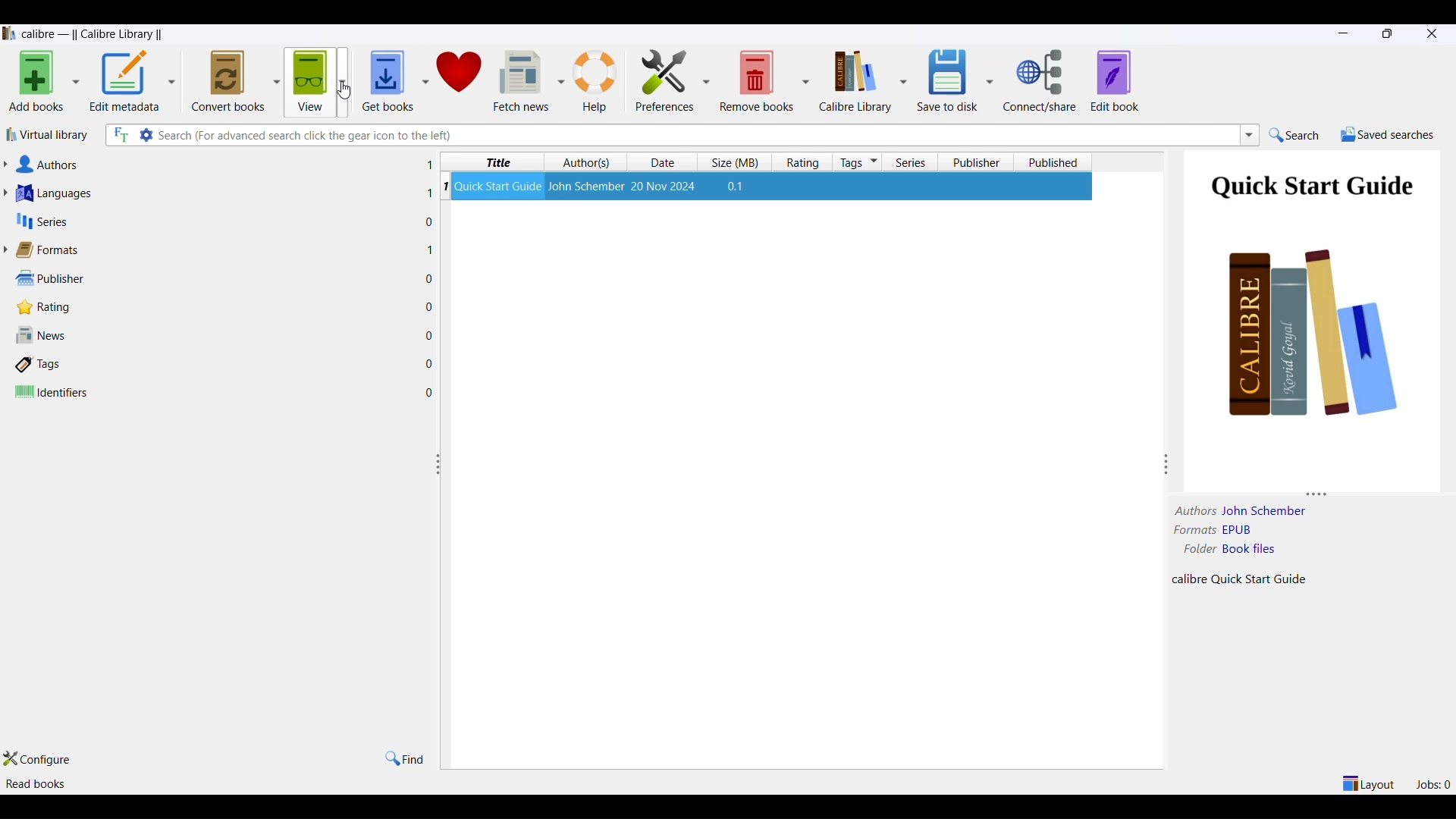 The height and width of the screenshot is (819, 1456). What do you see at coordinates (1391, 35) in the screenshot?
I see `maximize` at bounding box center [1391, 35].